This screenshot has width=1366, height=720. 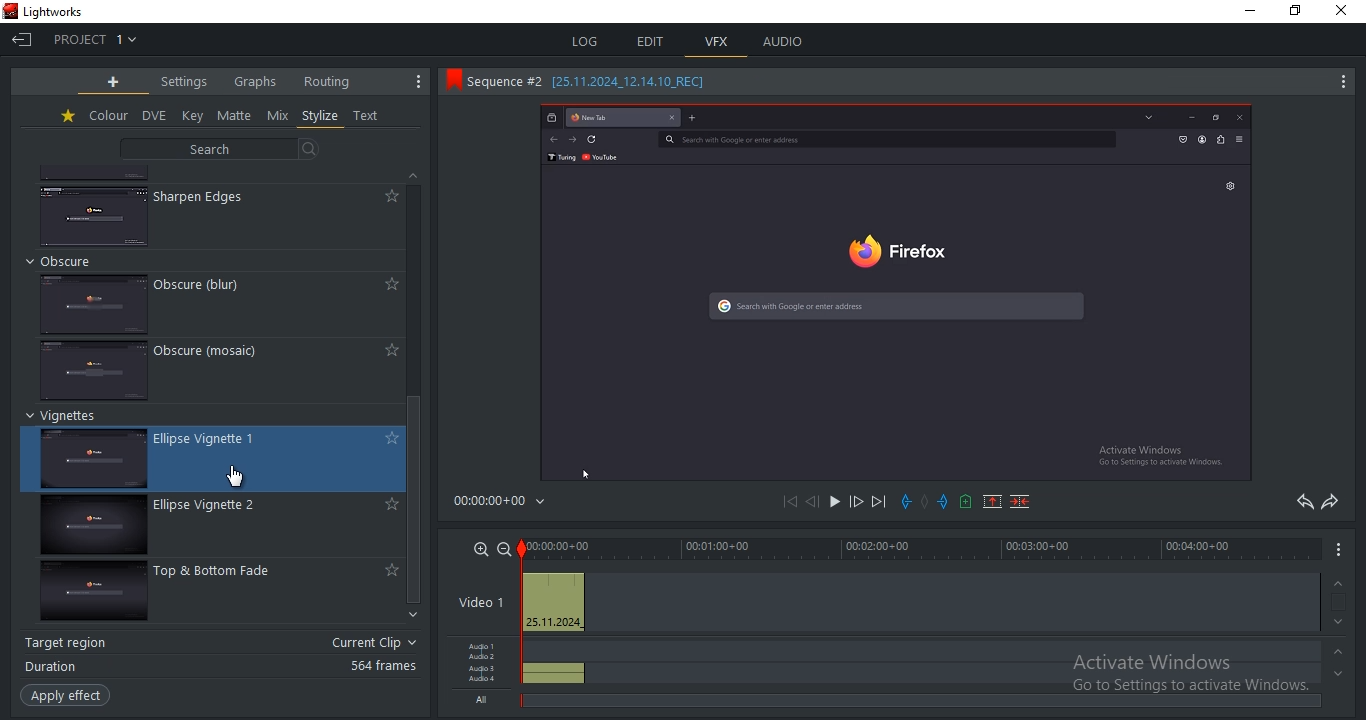 I want to click on Add to favorites, so click(x=387, y=349).